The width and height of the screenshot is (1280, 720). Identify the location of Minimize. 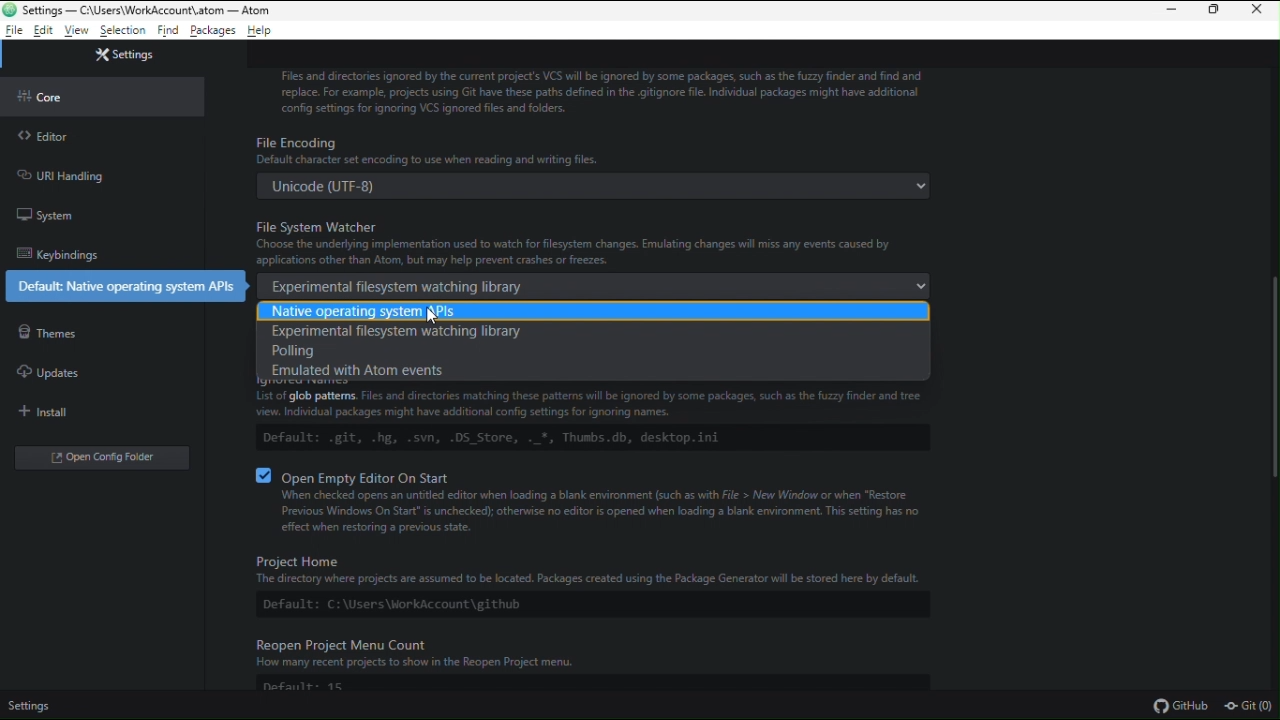
(1168, 11).